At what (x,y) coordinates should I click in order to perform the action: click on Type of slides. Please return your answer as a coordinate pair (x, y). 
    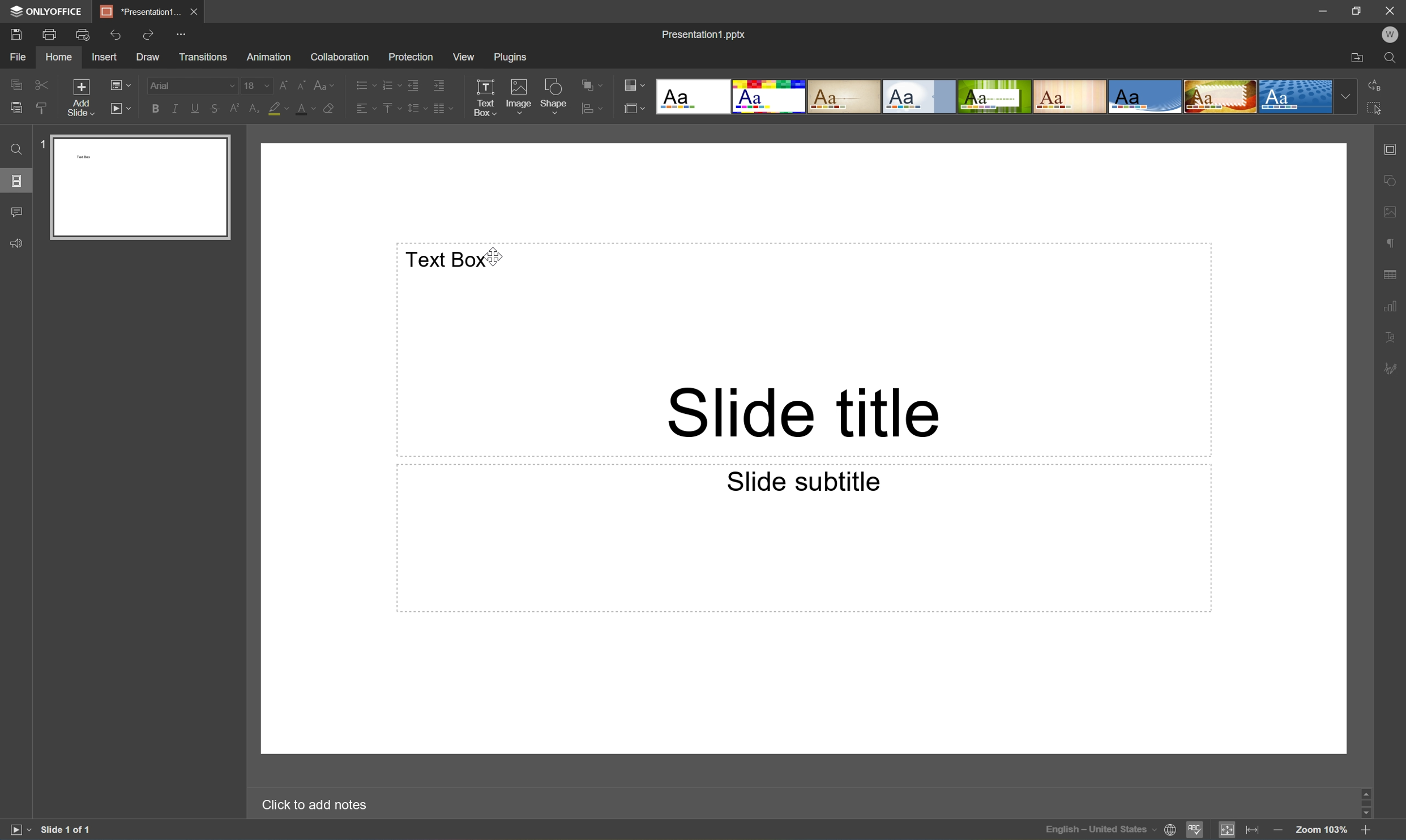
    Looking at the image, I should click on (993, 97).